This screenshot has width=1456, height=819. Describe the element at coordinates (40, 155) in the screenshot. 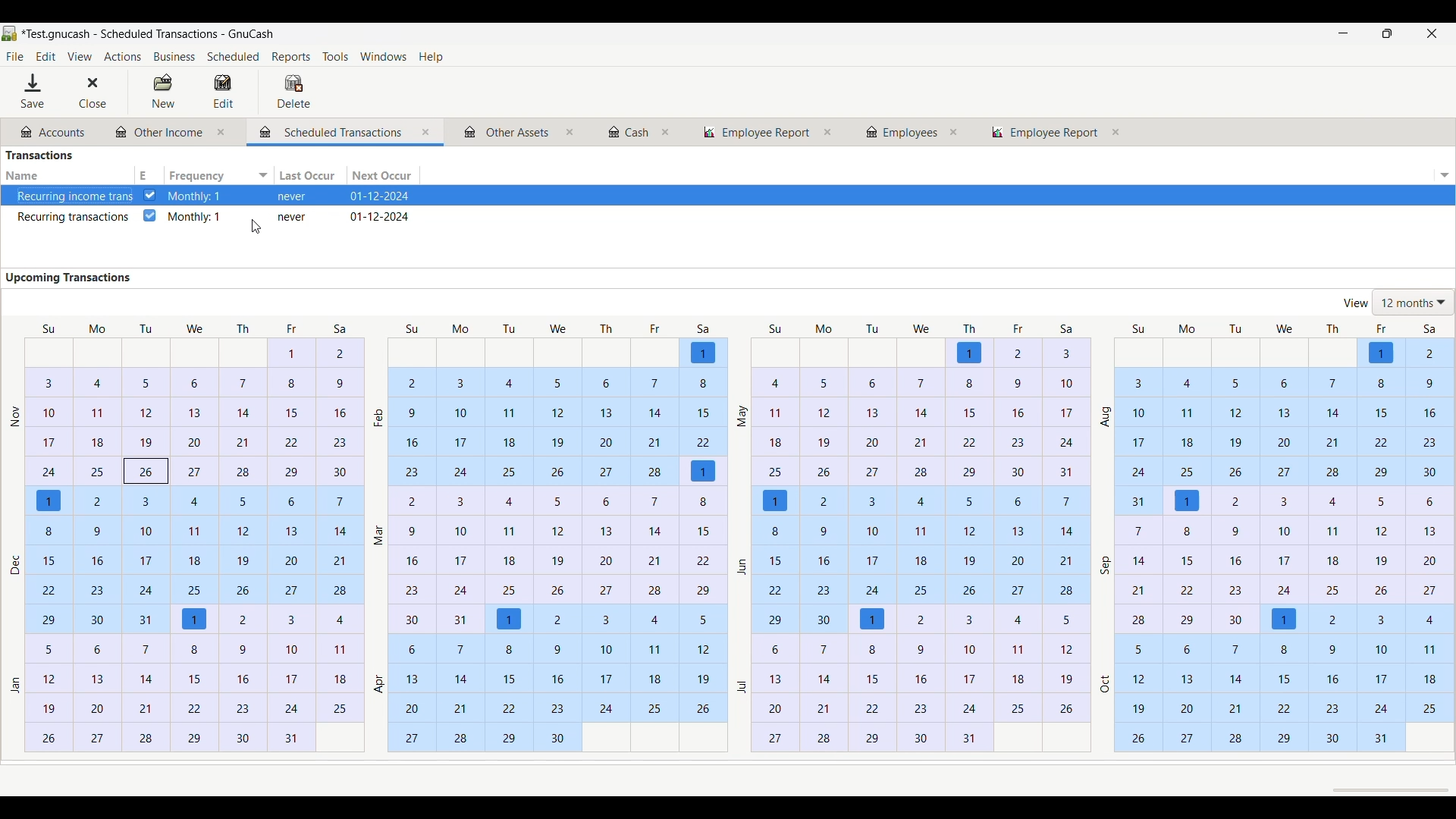

I see `Section title` at that location.